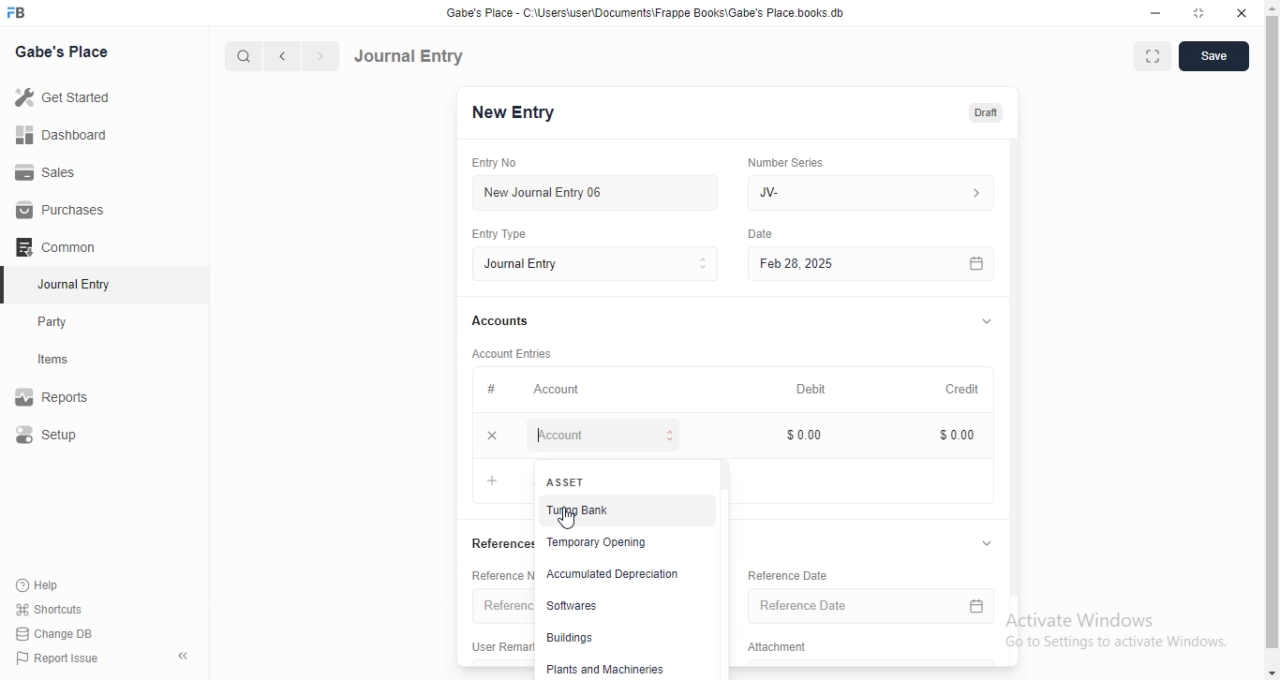 This screenshot has width=1280, height=680. What do you see at coordinates (1272, 330) in the screenshot?
I see `vertical scrollbar` at bounding box center [1272, 330].